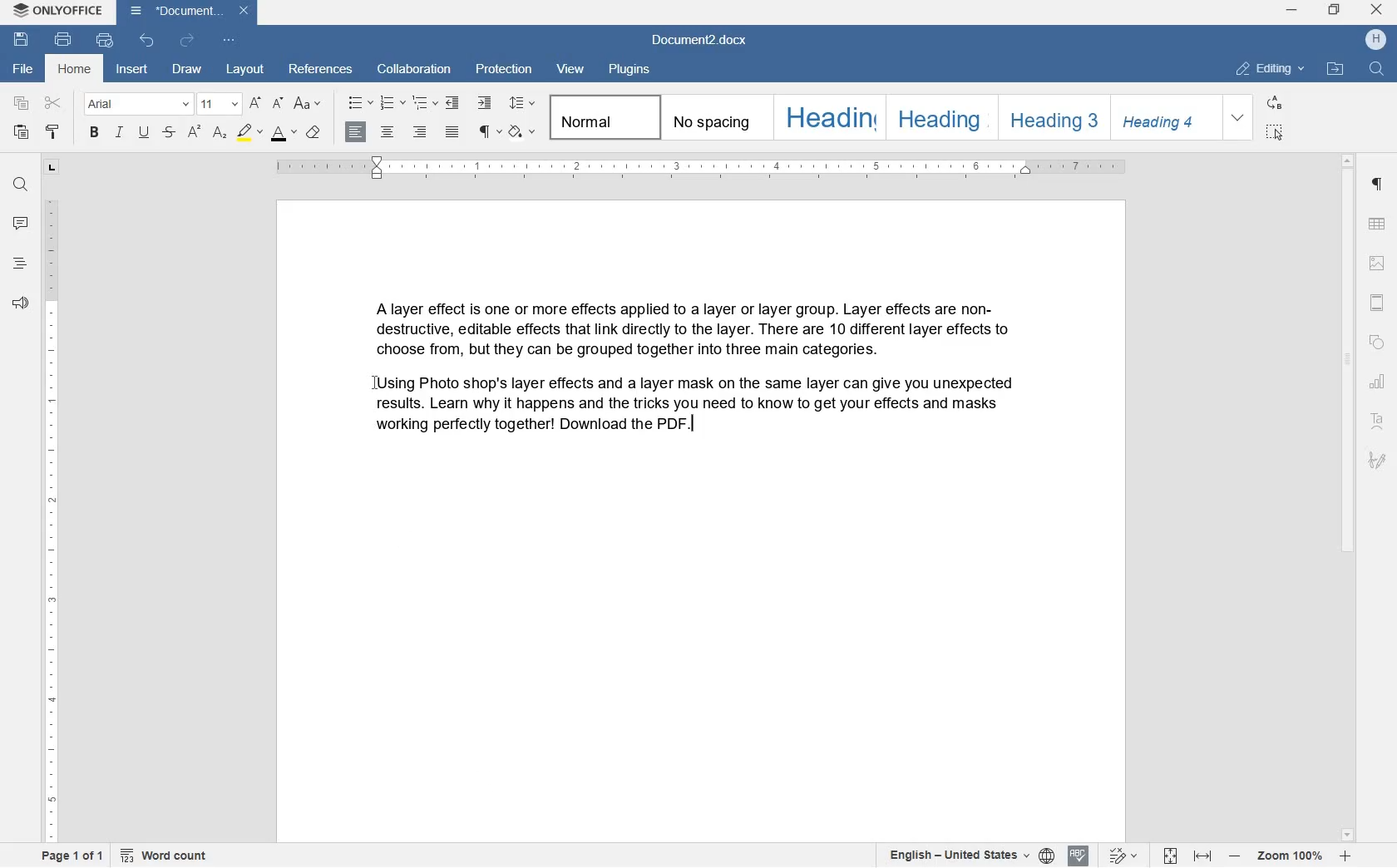  I want to click on minimize, so click(1294, 11).